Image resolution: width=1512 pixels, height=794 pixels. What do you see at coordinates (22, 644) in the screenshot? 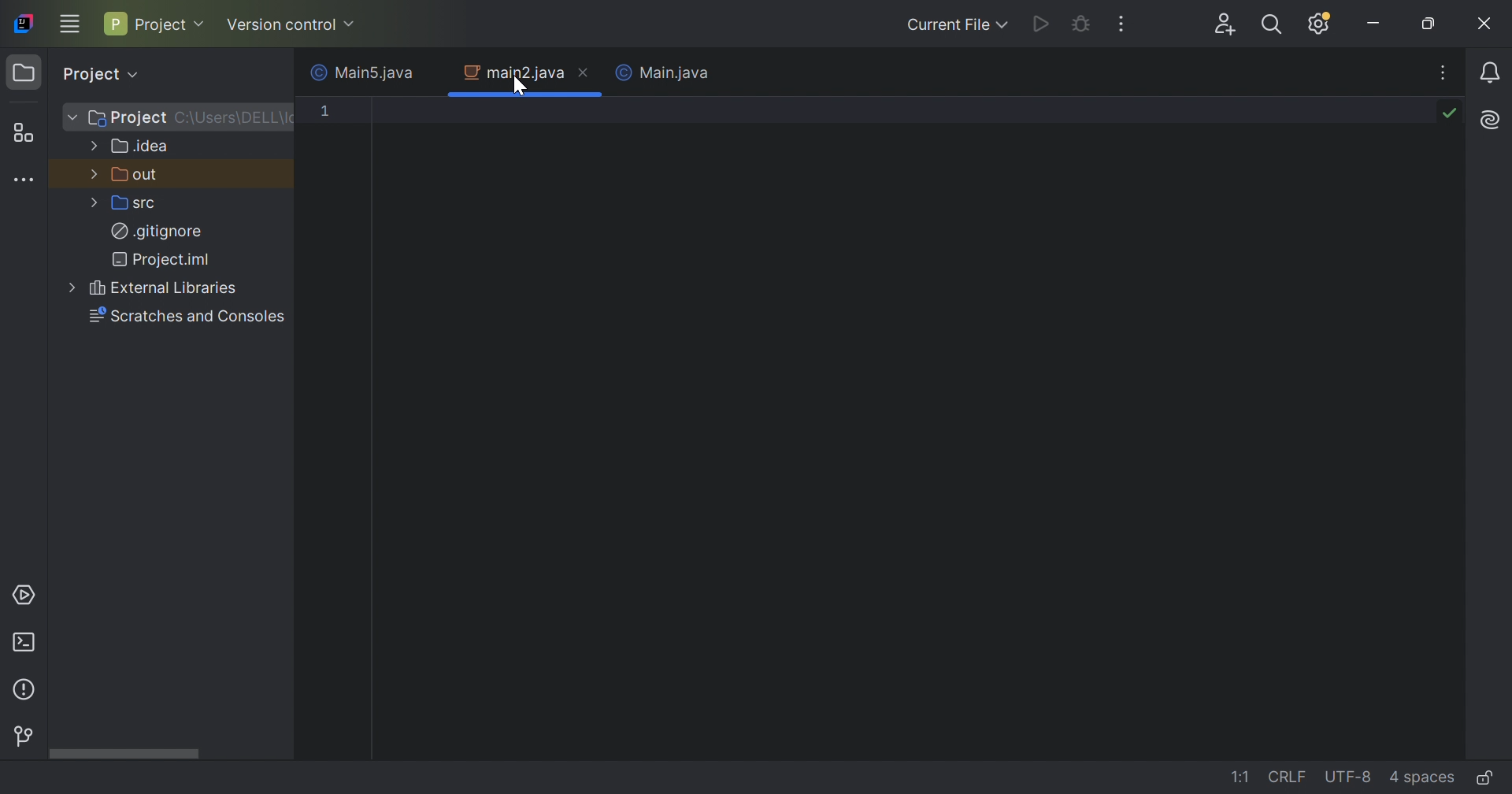
I see `Terminal` at bounding box center [22, 644].